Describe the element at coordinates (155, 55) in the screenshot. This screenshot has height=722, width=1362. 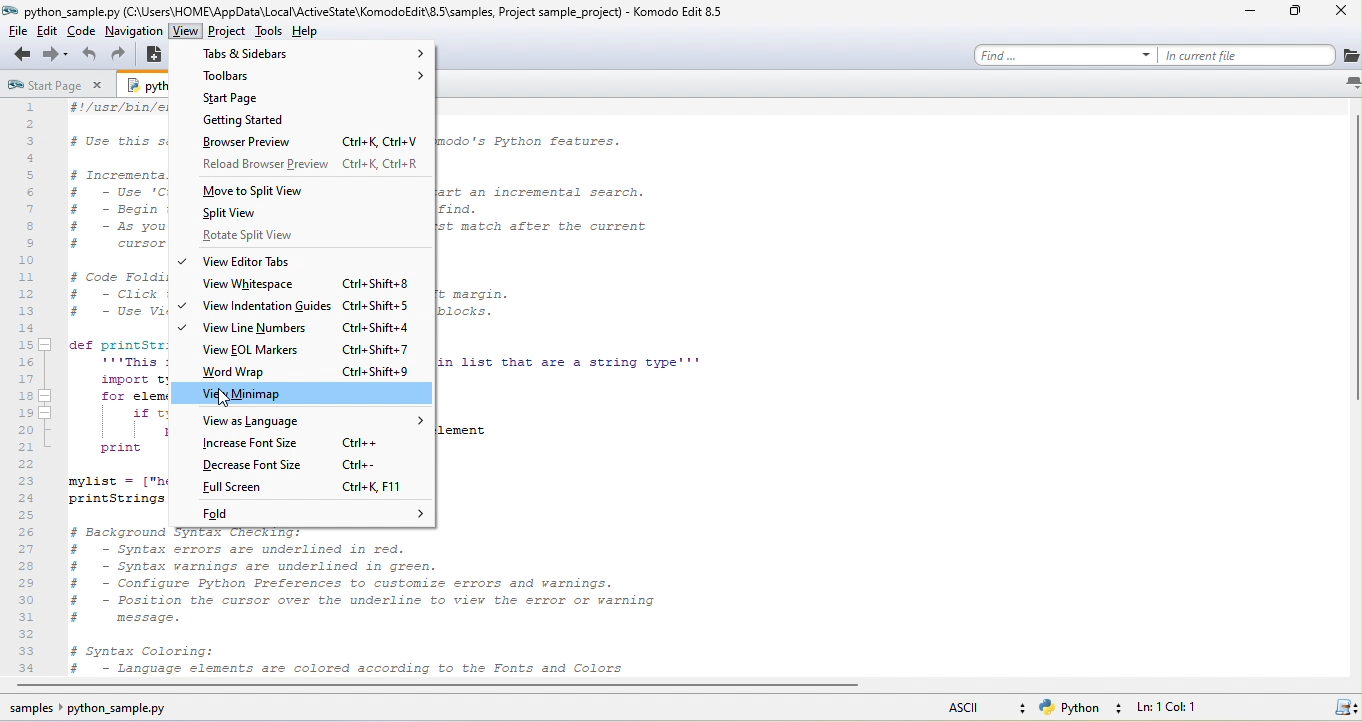
I see `new` at that location.